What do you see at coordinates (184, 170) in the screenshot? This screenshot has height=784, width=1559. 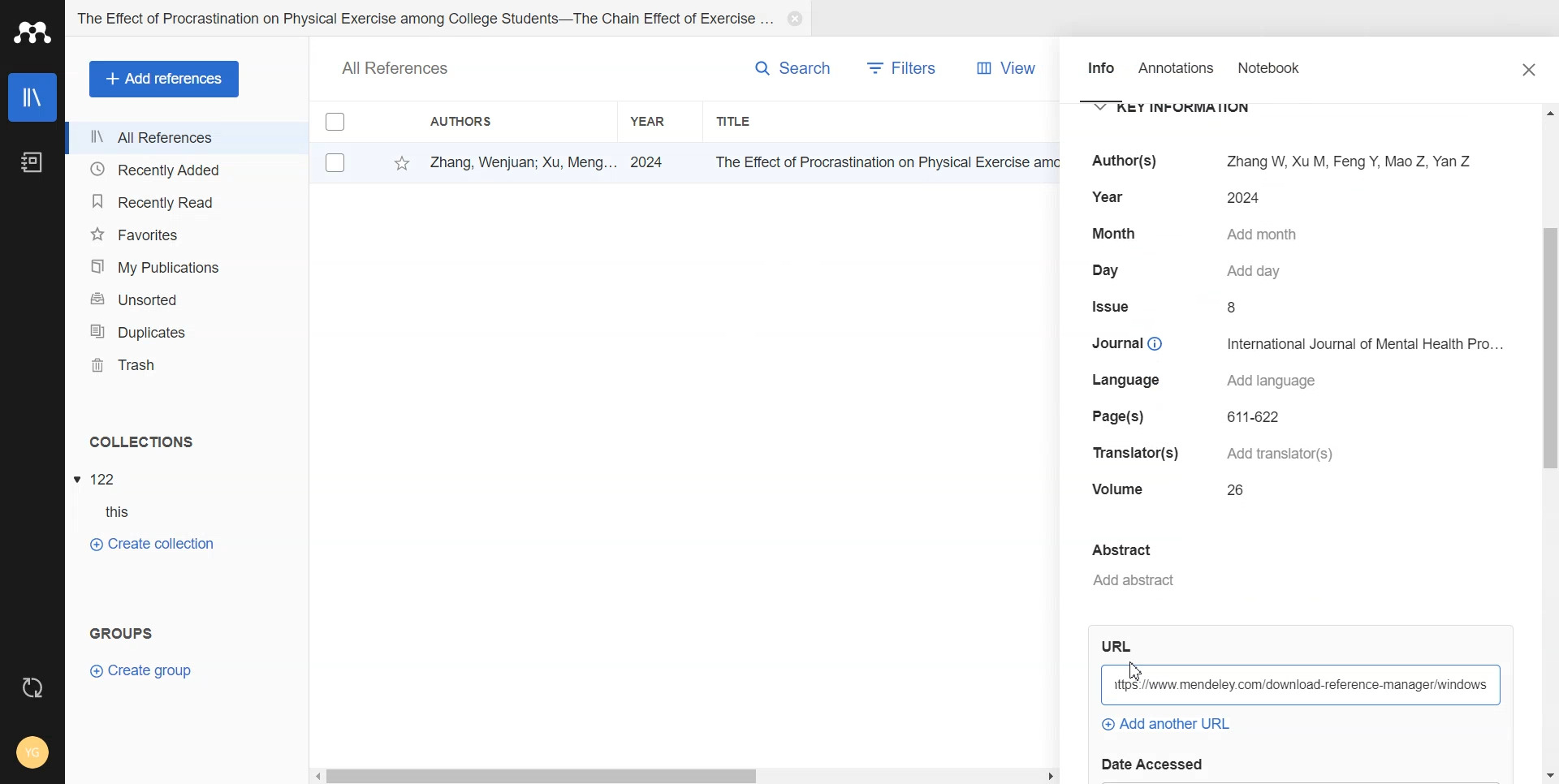 I see `Recently Added` at bounding box center [184, 170].